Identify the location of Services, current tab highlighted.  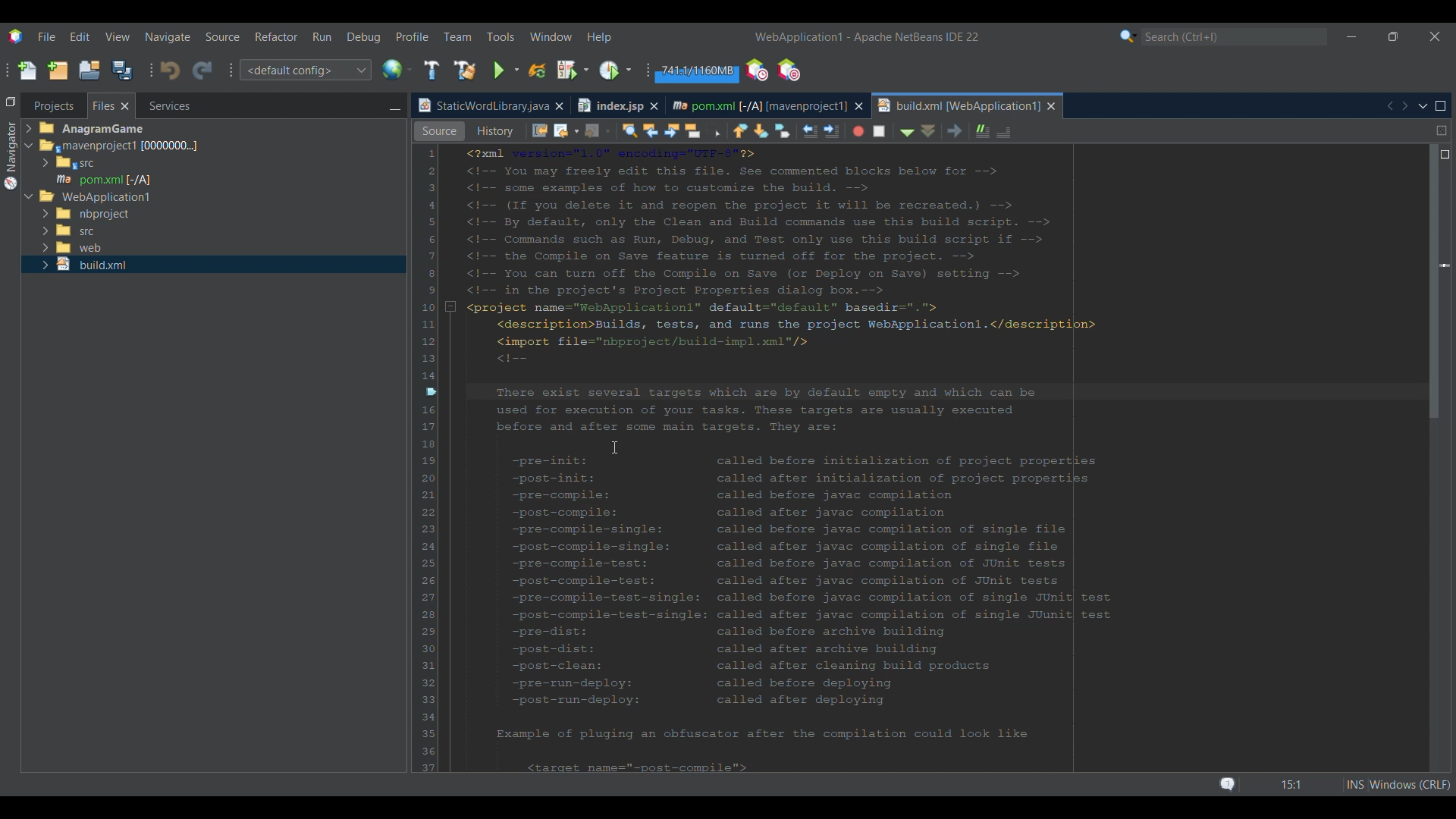
(162, 105).